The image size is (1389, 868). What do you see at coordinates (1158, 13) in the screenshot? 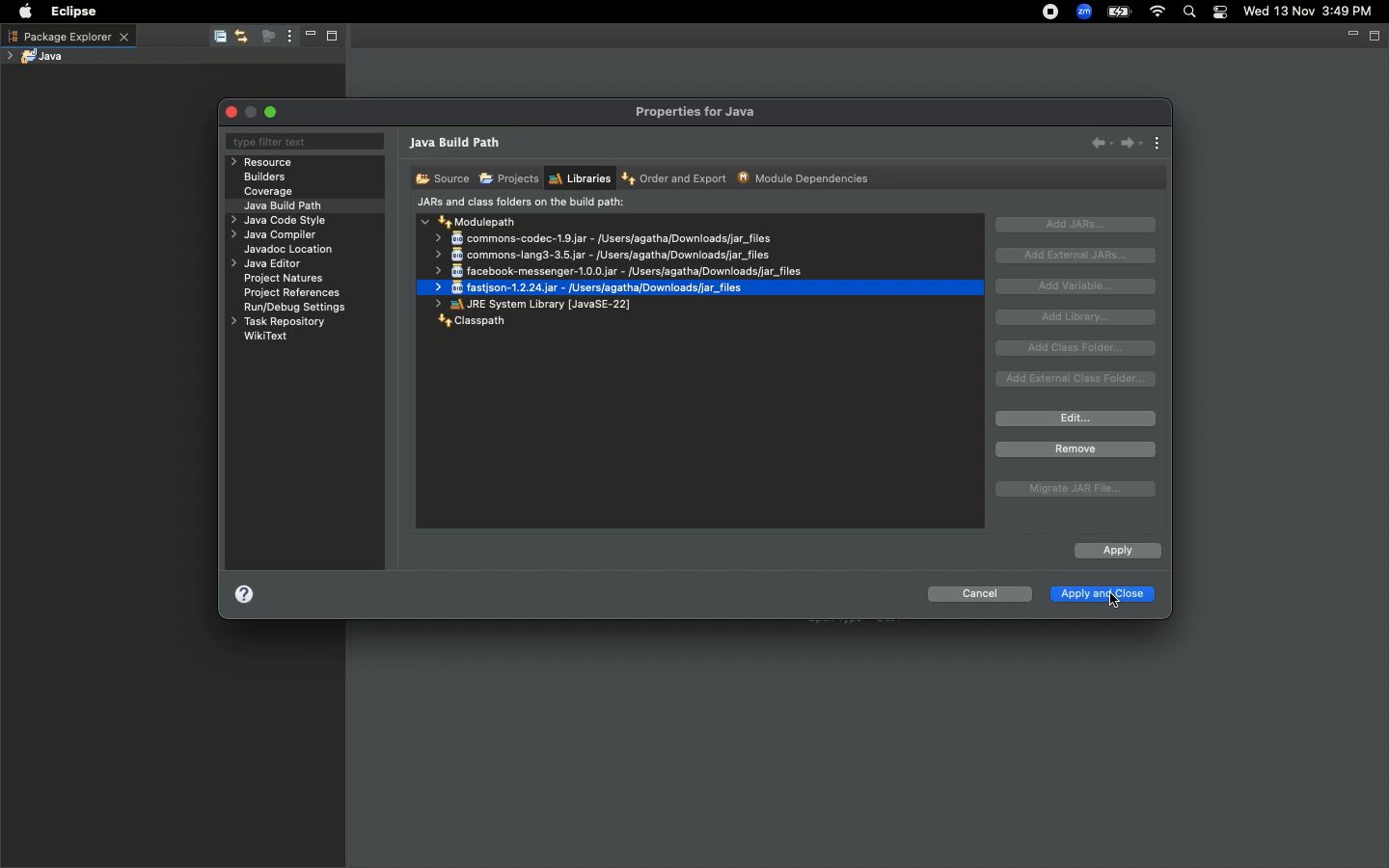
I see `Internet` at bounding box center [1158, 13].